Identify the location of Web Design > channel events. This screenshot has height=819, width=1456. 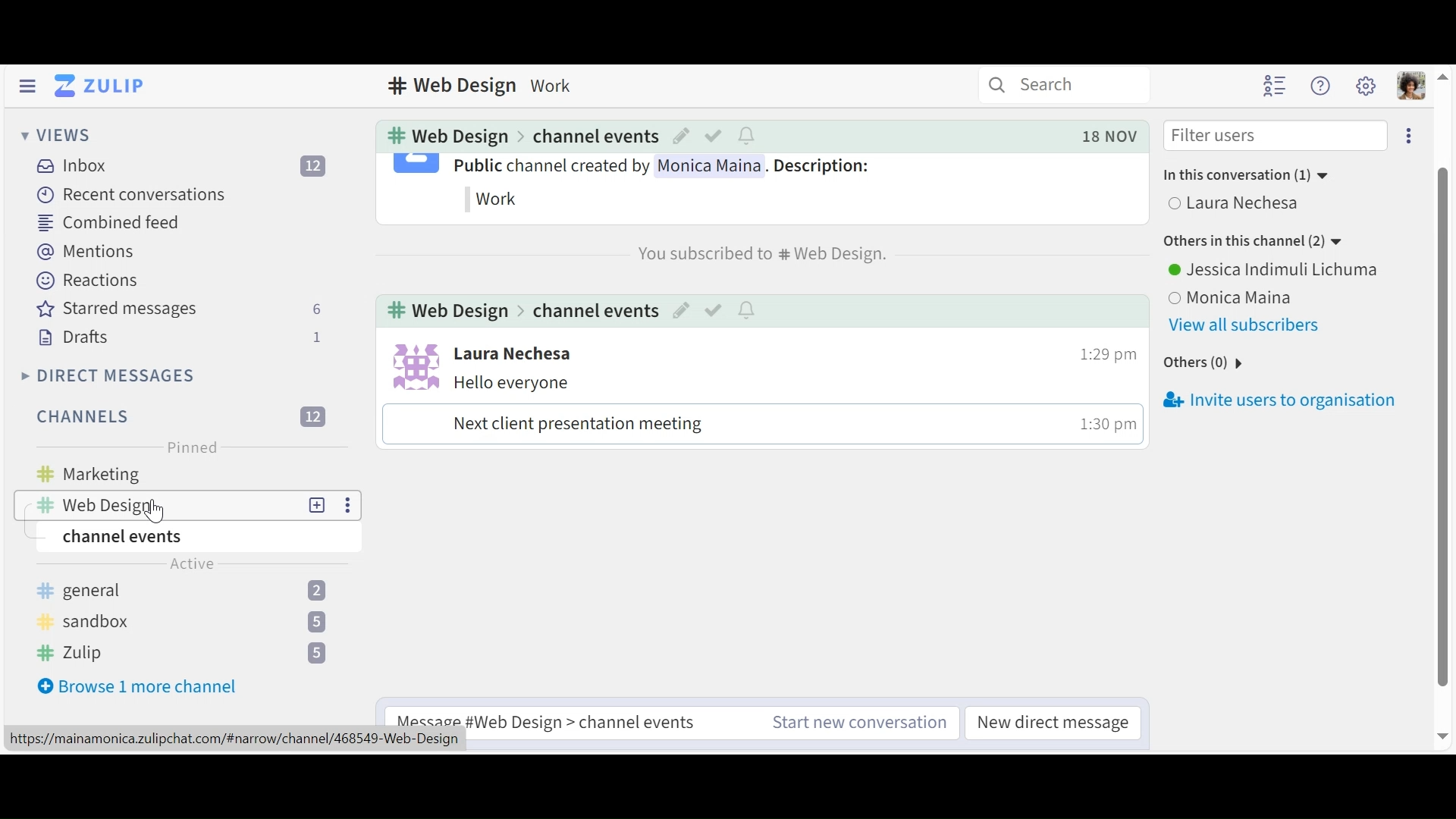
(589, 723).